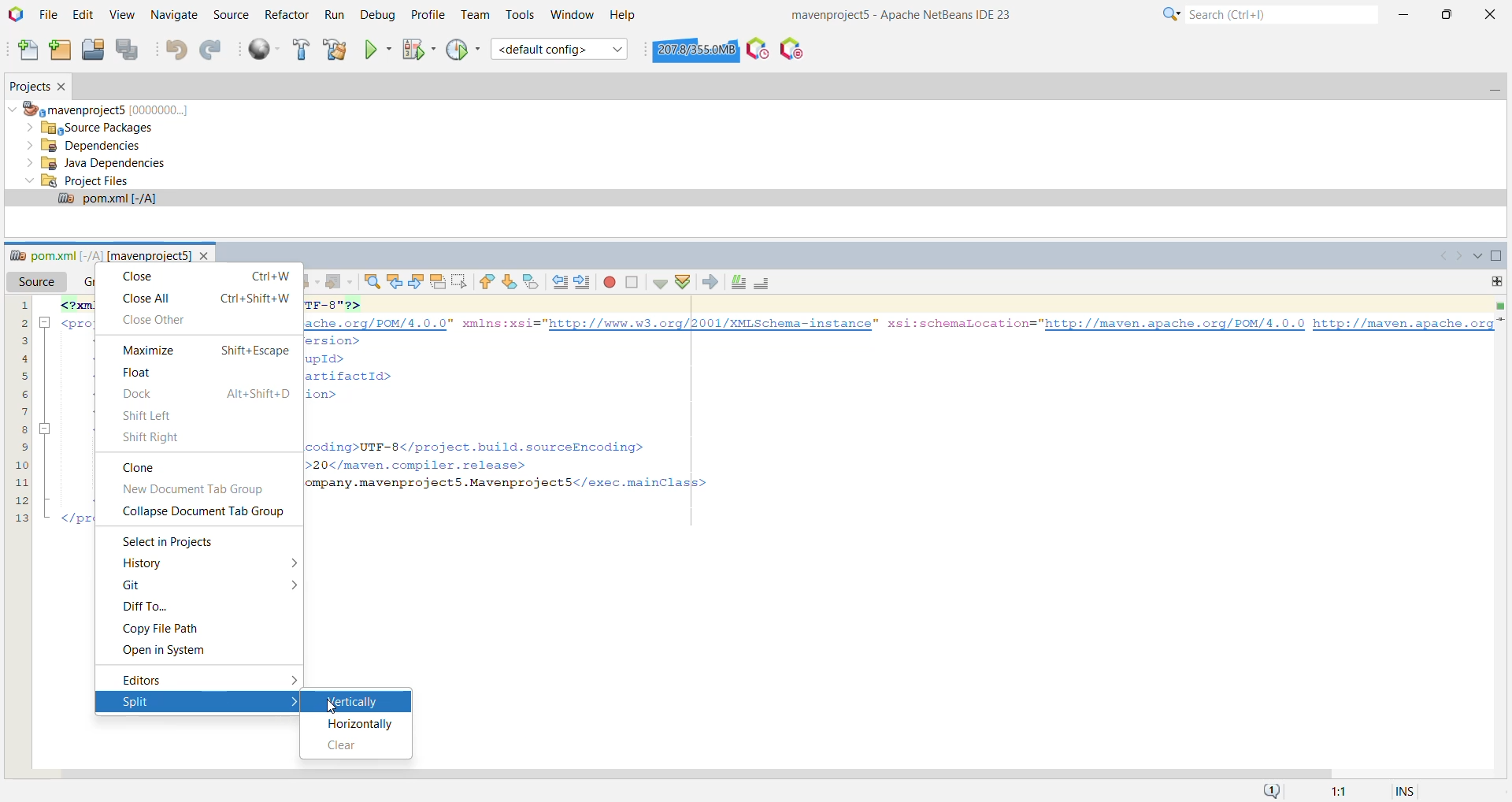 The height and width of the screenshot is (802, 1512). Describe the element at coordinates (104, 108) in the screenshot. I see `mavenproject5` at that location.